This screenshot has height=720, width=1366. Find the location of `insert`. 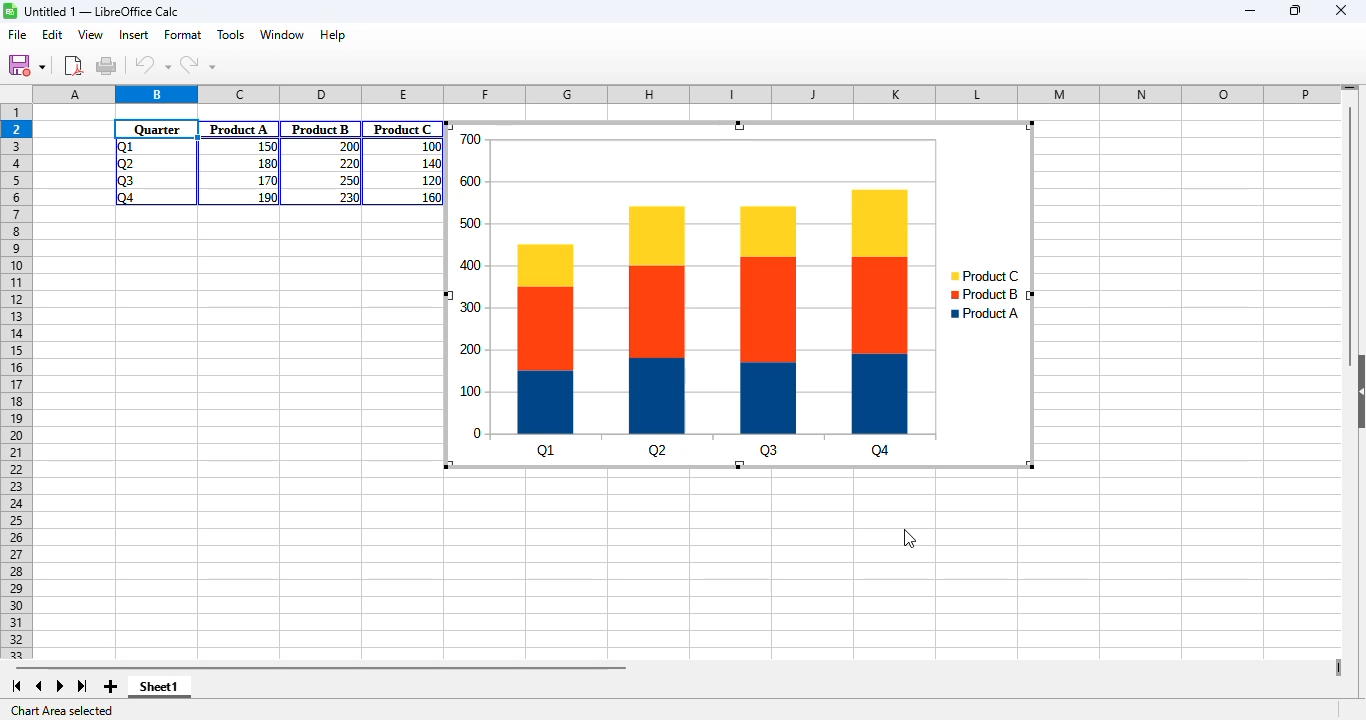

insert is located at coordinates (133, 34).